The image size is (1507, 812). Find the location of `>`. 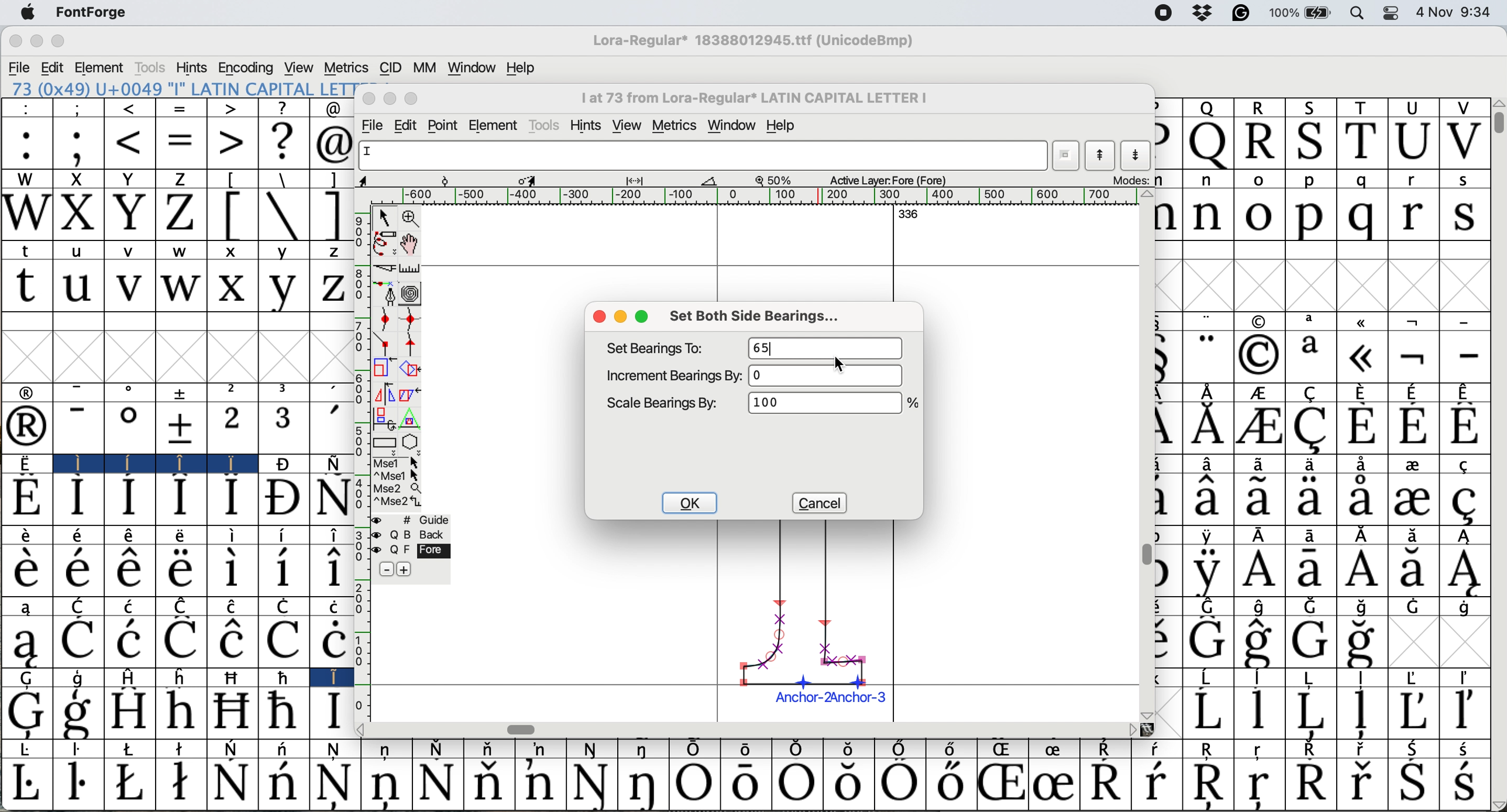

> is located at coordinates (229, 109).